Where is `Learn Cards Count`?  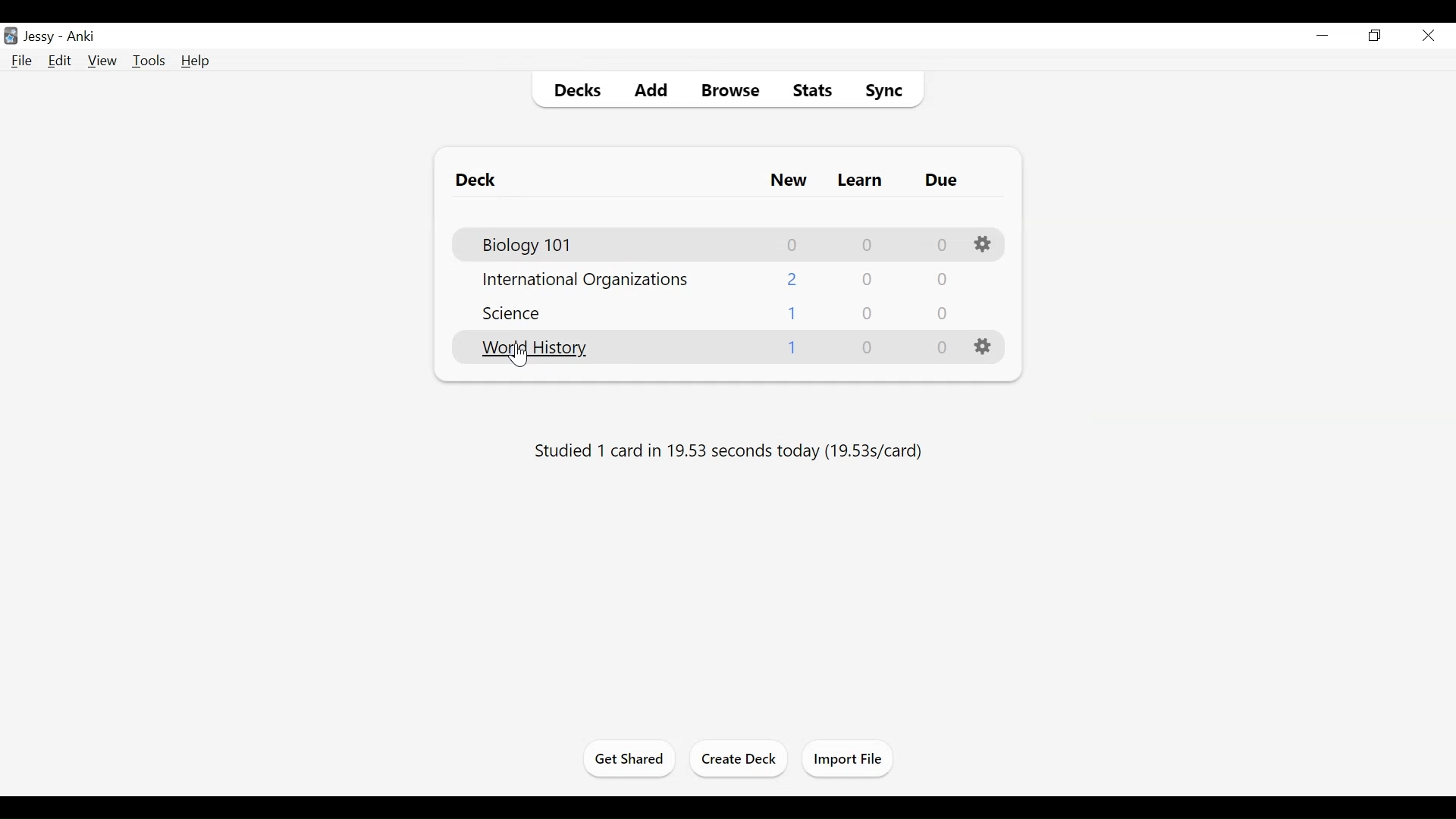
Learn Cards Count is located at coordinates (865, 312).